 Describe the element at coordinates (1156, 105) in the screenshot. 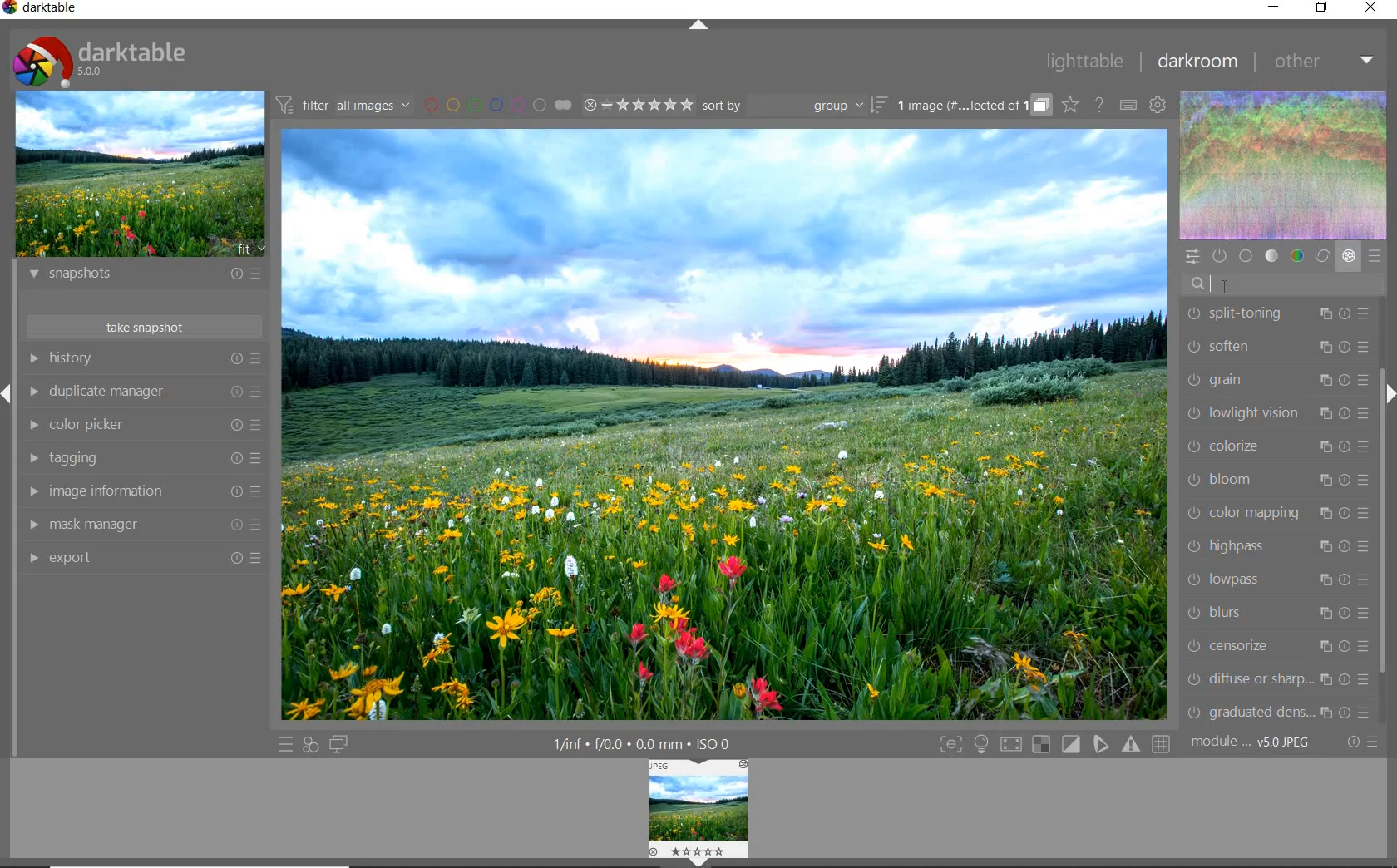

I see `show global preferences` at that location.